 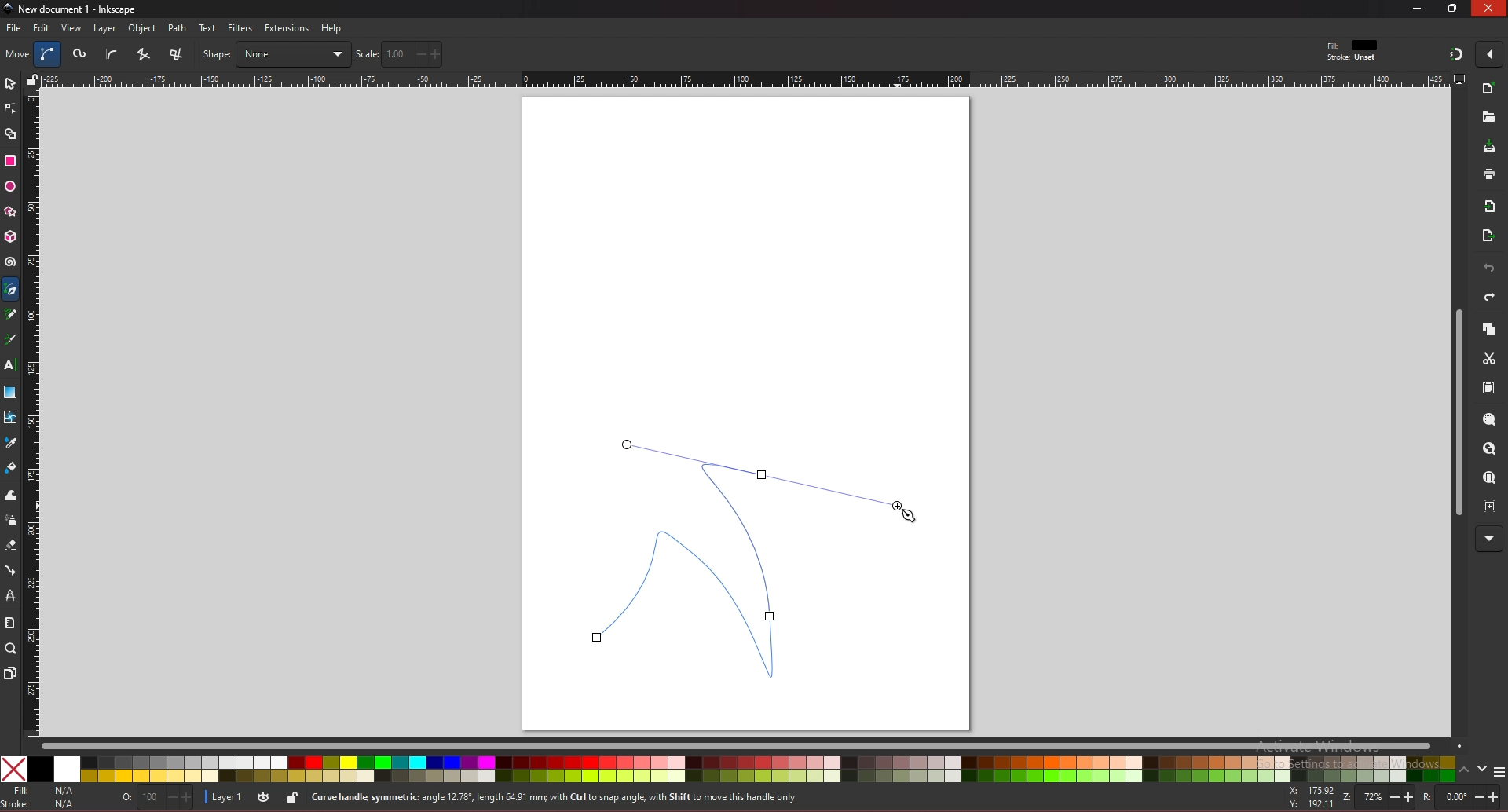 I want to click on scroll bar, so click(x=1456, y=413).